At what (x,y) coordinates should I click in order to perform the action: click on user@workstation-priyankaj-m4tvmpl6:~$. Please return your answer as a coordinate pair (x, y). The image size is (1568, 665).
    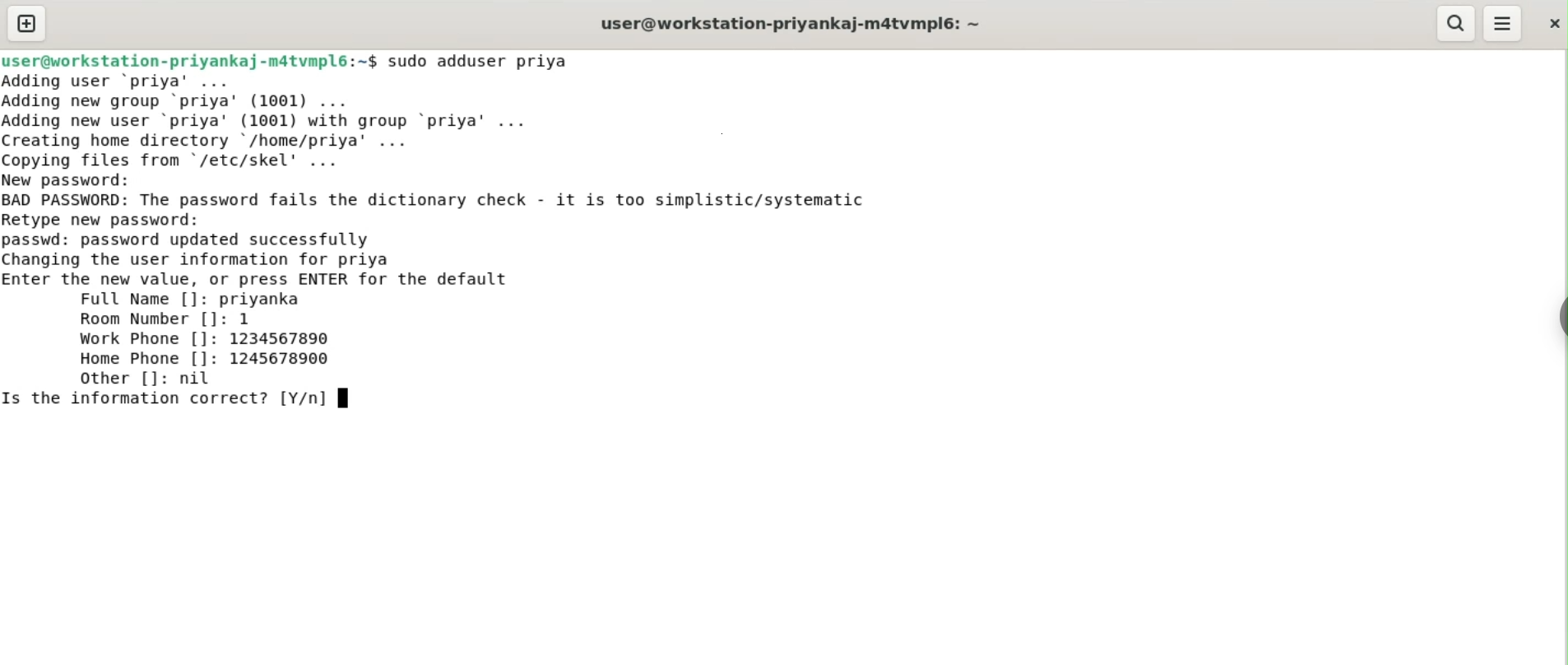
    Looking at the image, I should click on (189, 58).